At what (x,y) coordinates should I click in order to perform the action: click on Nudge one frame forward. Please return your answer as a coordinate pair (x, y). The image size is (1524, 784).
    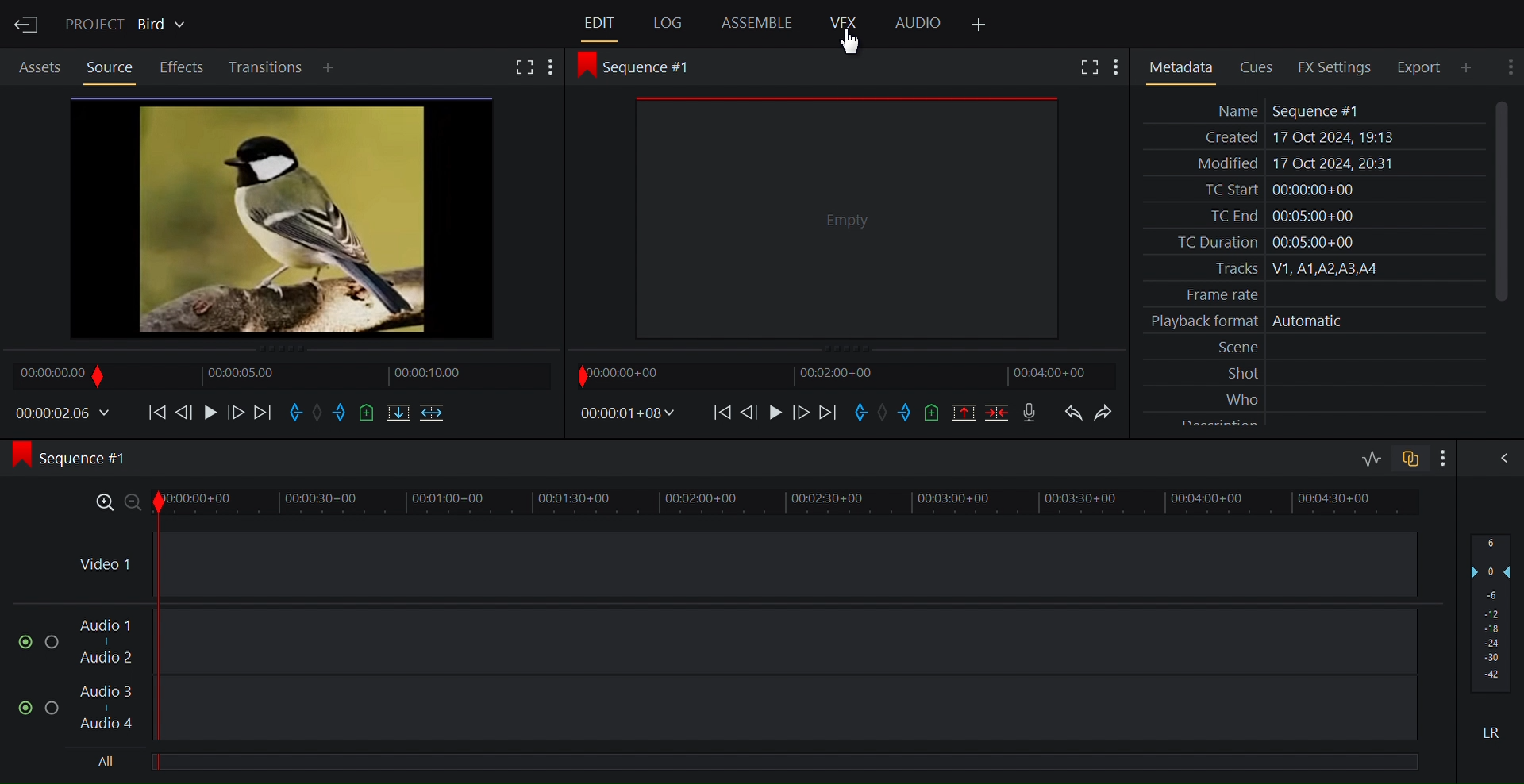
    Looking at the image, I should click on (234, 412).